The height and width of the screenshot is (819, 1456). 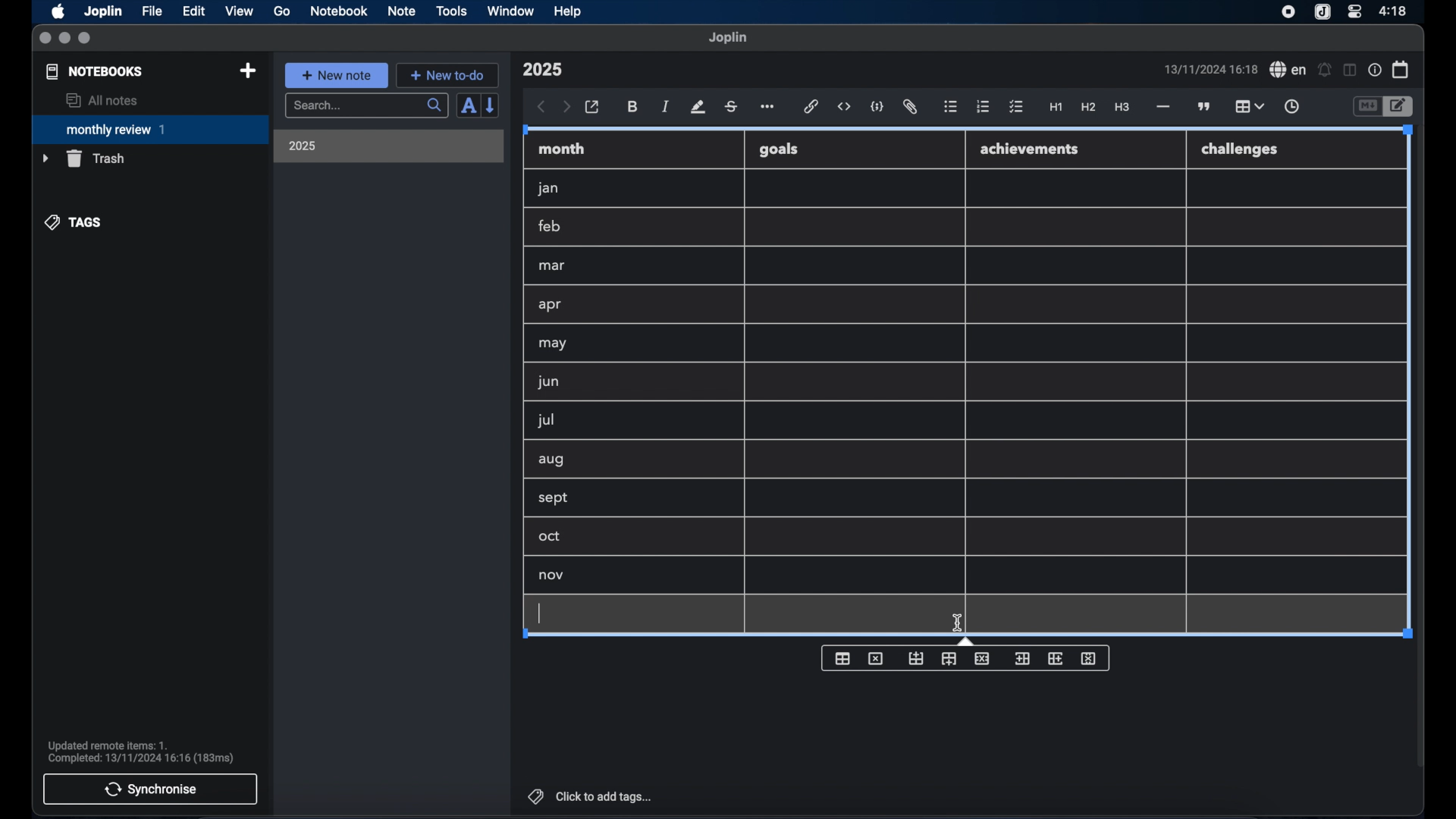 I want to click on view, so click(x=239, y=11).